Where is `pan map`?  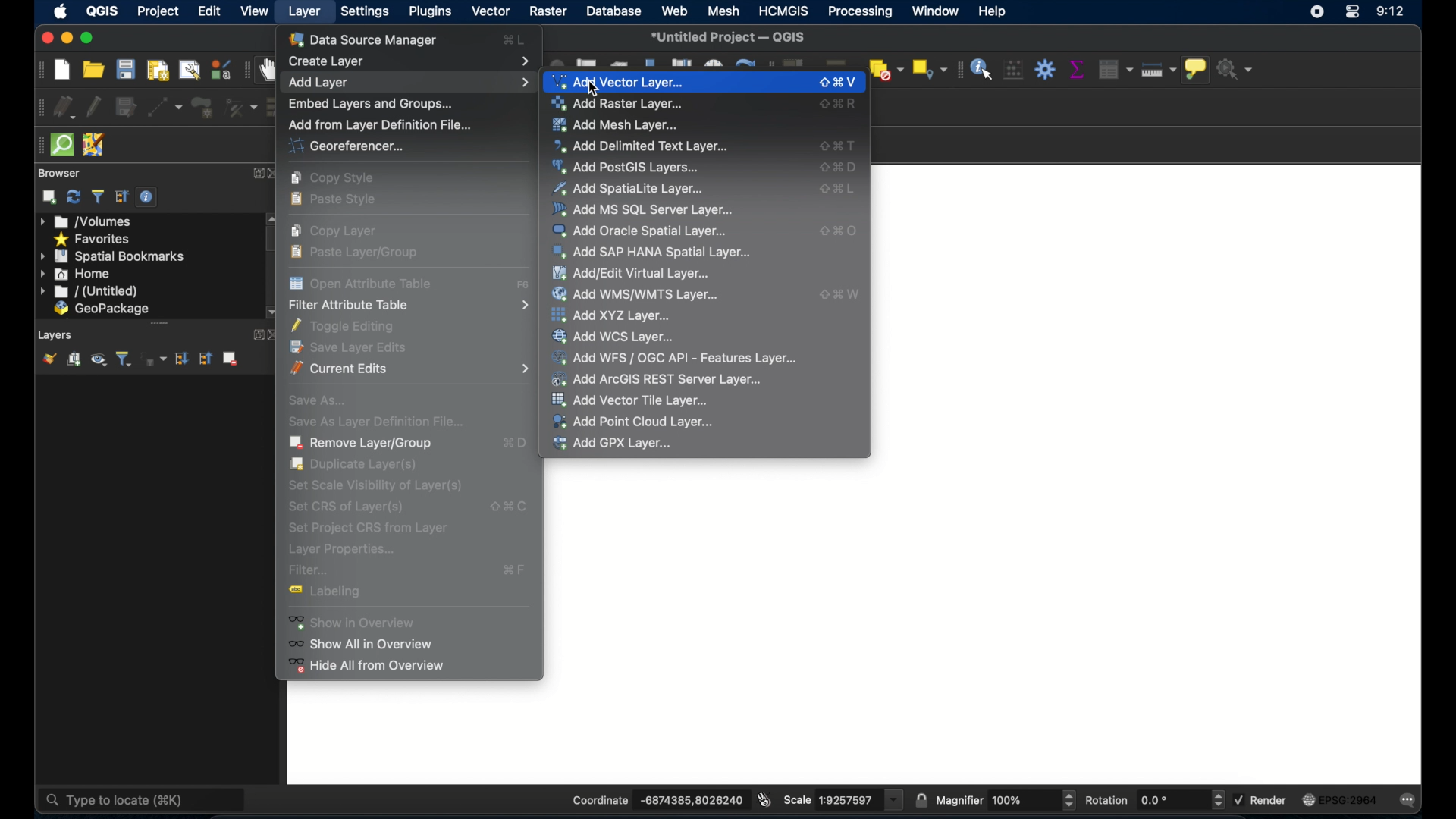
pan map is located at coordinates (270, 71).